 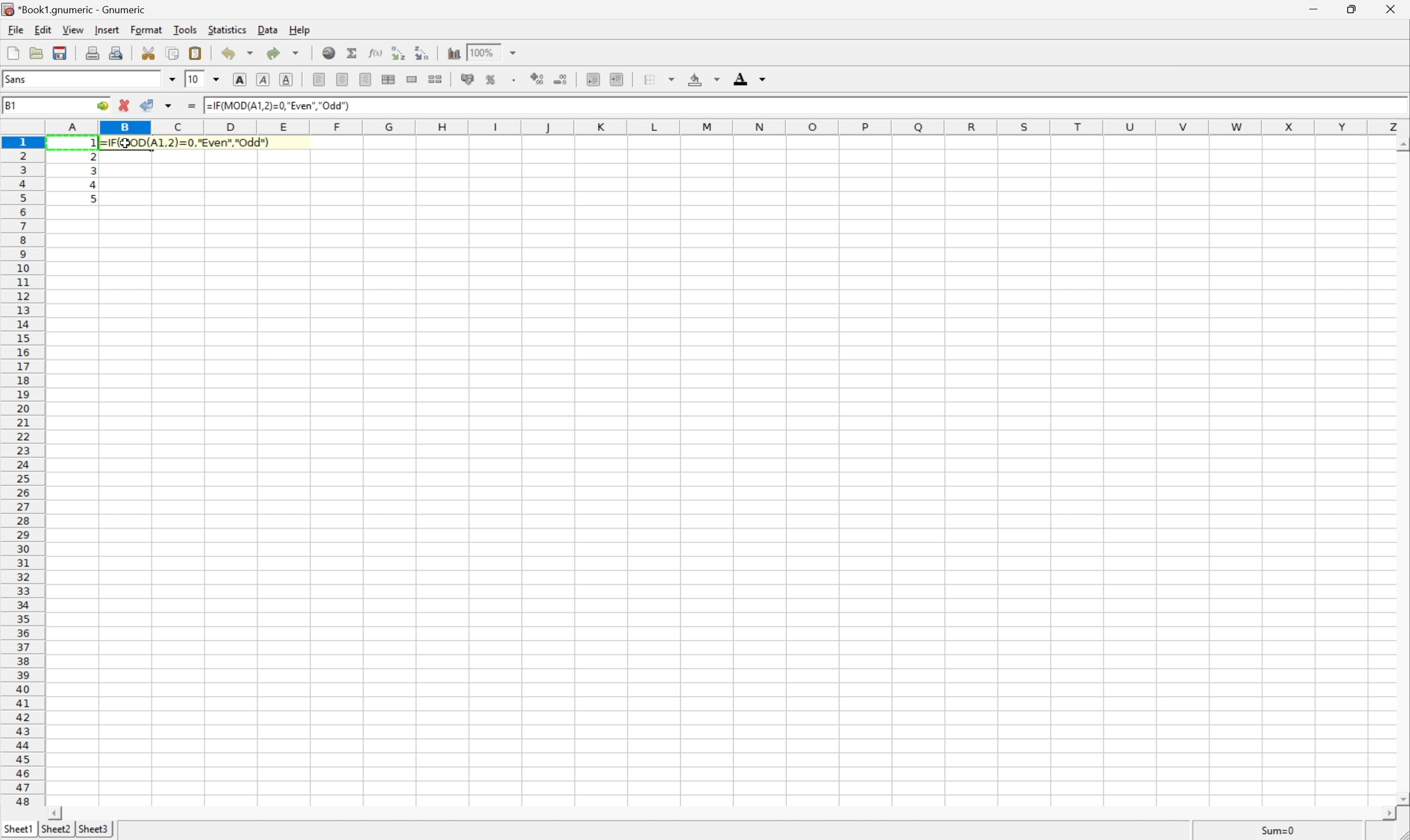 What do you see at coordinates (78, 10) in the screenshot?
I see `*Book1.gnumeric - Gnumeric` at bounding box center [78, 10].